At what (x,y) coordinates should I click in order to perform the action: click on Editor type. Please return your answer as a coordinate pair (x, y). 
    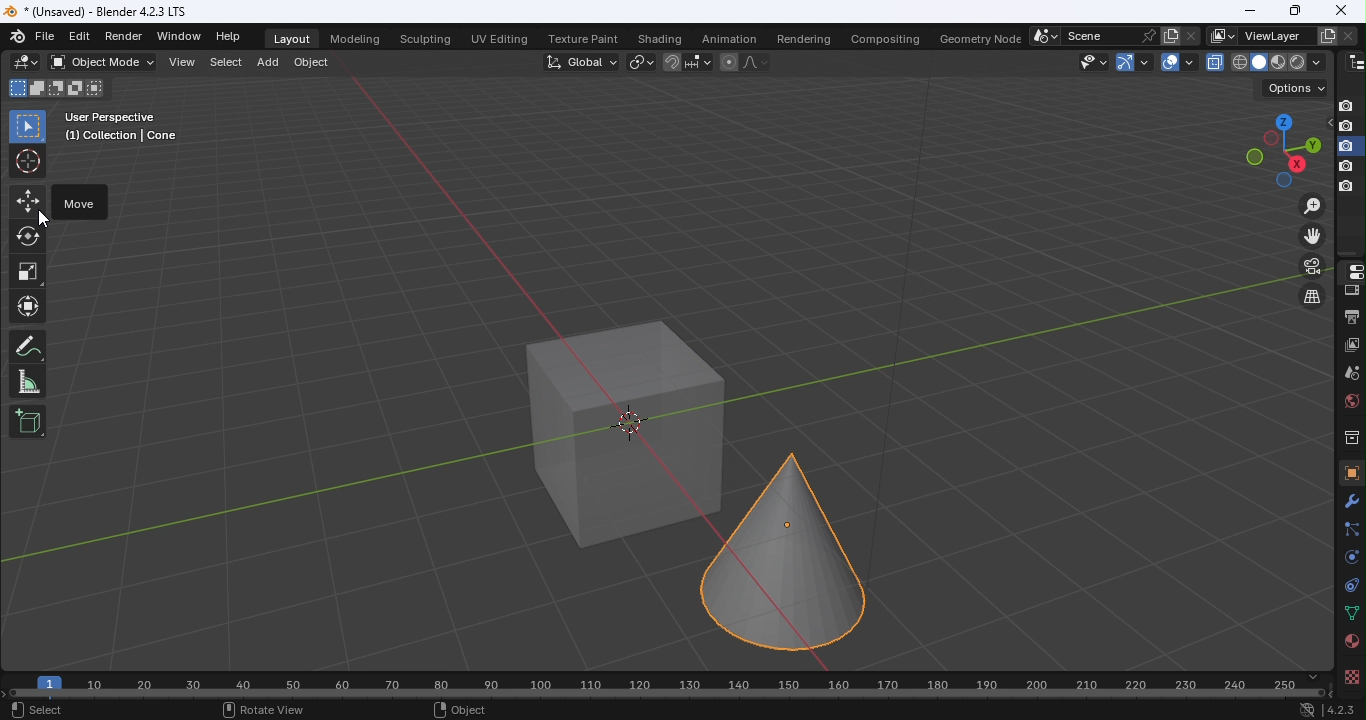
    Looking at the image, I should click on (27, 62).